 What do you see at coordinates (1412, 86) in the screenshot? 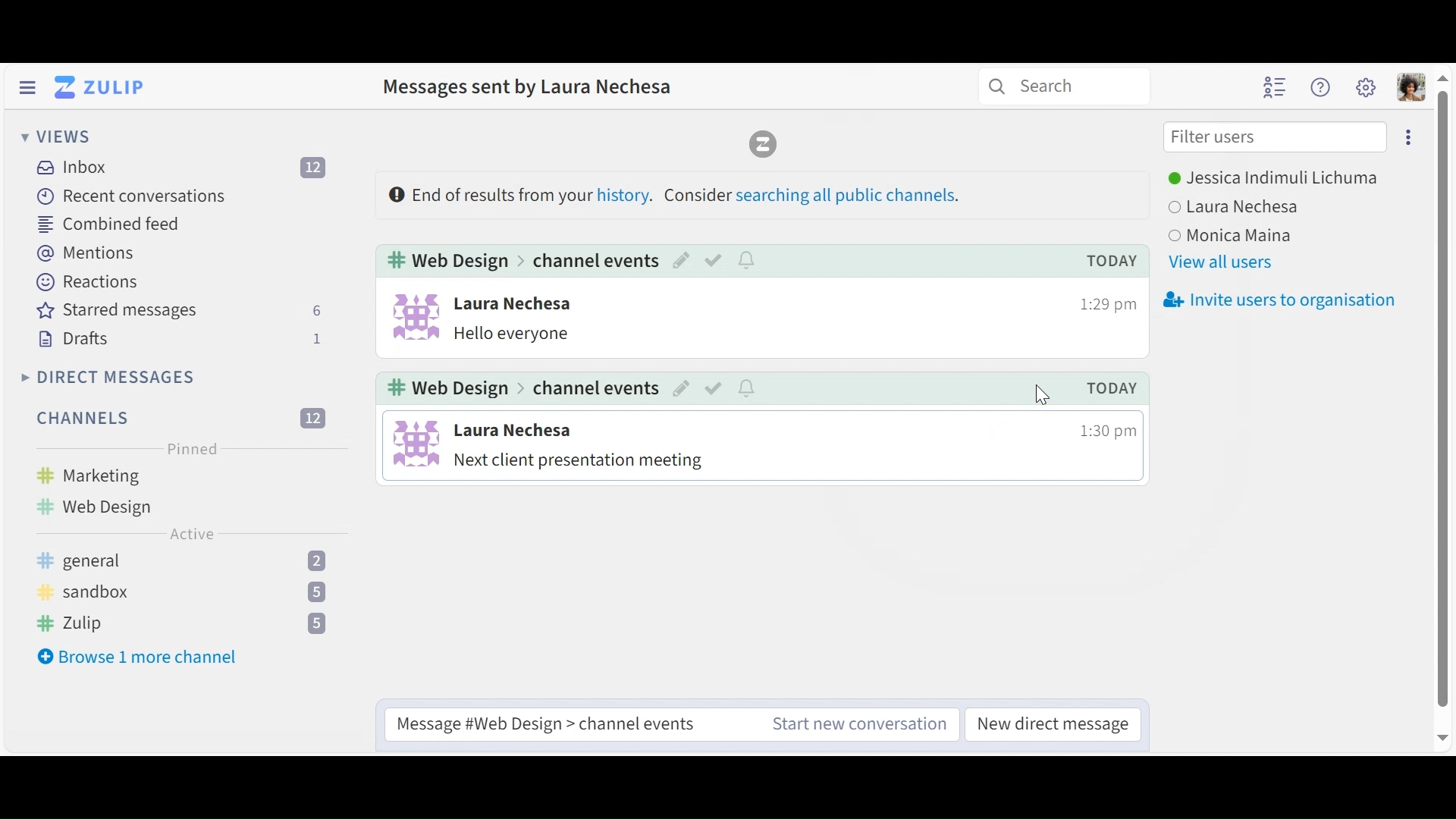
I see `Personal menu` at bounding box center [1412, 86].